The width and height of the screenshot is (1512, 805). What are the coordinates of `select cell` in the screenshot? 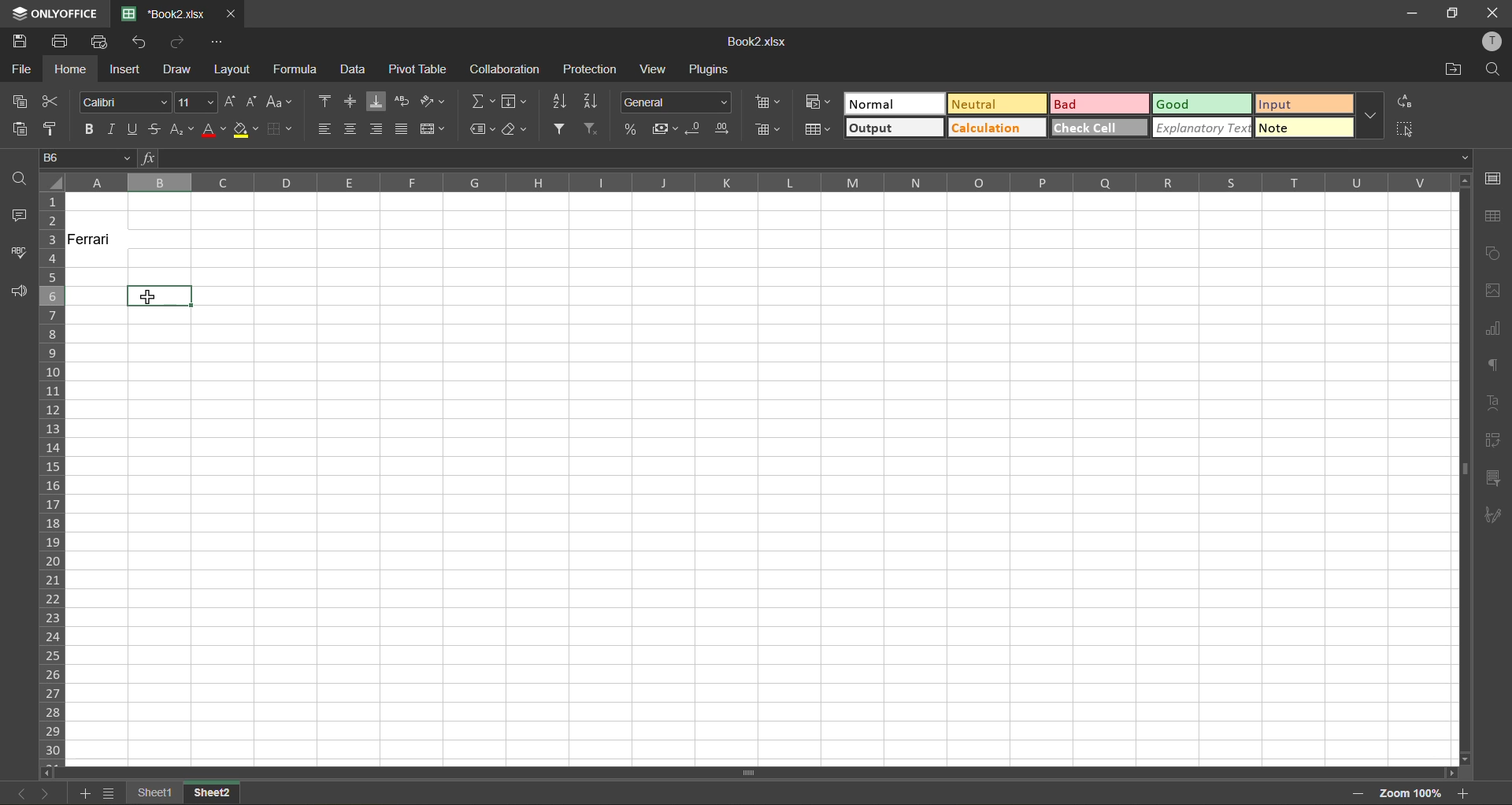 It's located at (1407, 127).